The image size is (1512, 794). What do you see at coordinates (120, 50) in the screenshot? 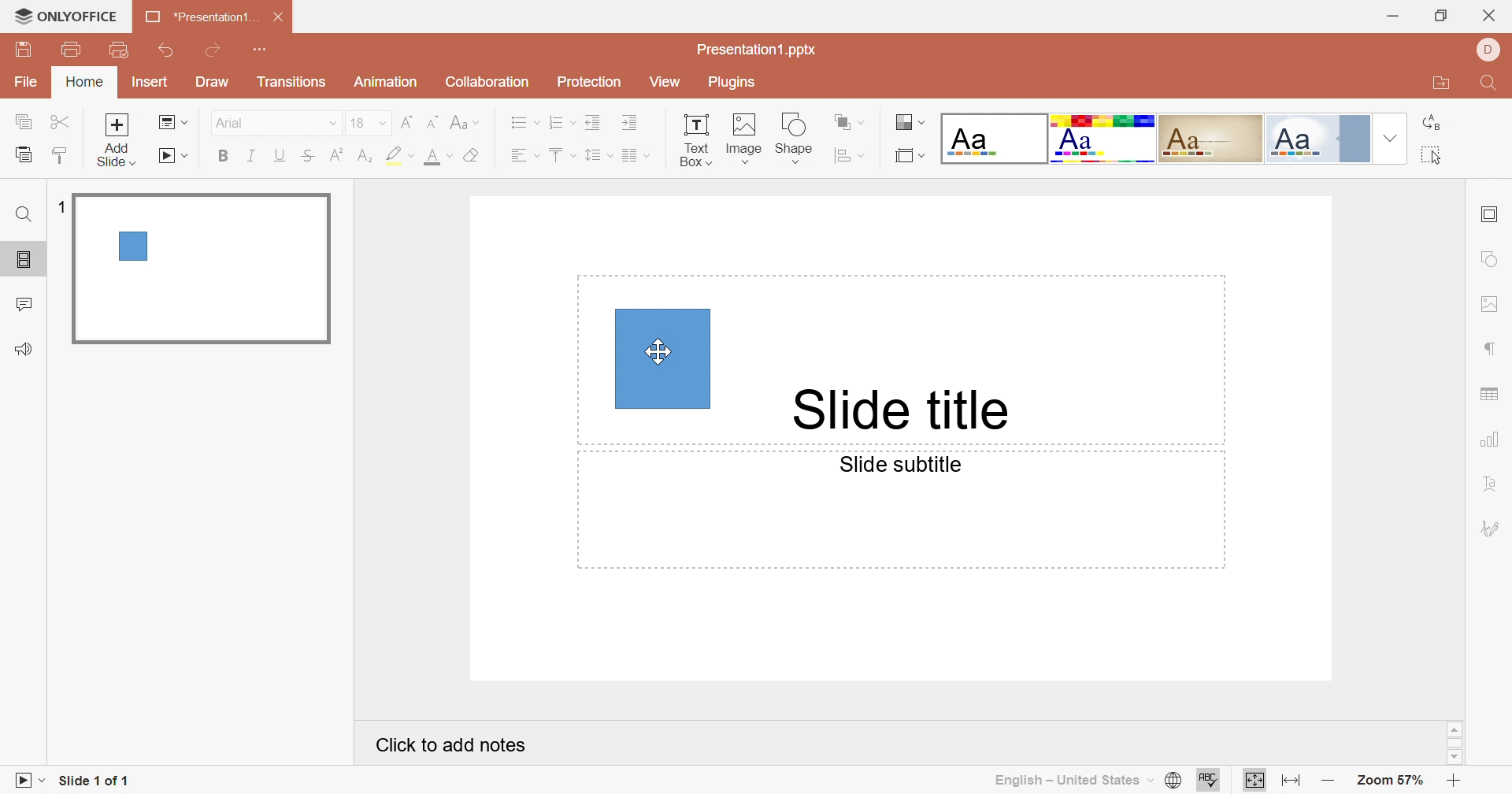
I see `Customize Quick Access Toolbar` at bounding box center [120, 50].